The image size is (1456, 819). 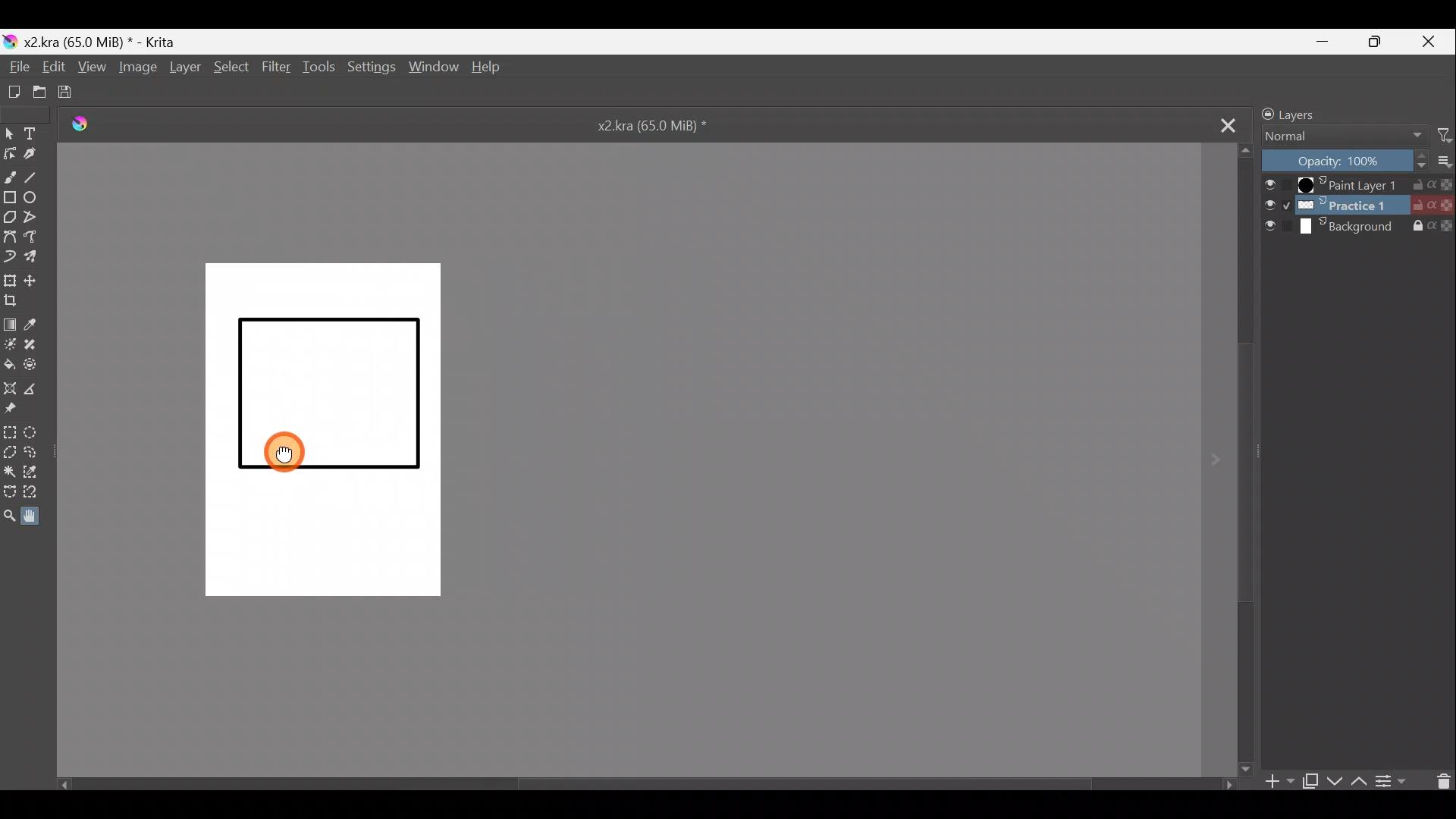 I want to click on Tools, so click(x=316, y=71).